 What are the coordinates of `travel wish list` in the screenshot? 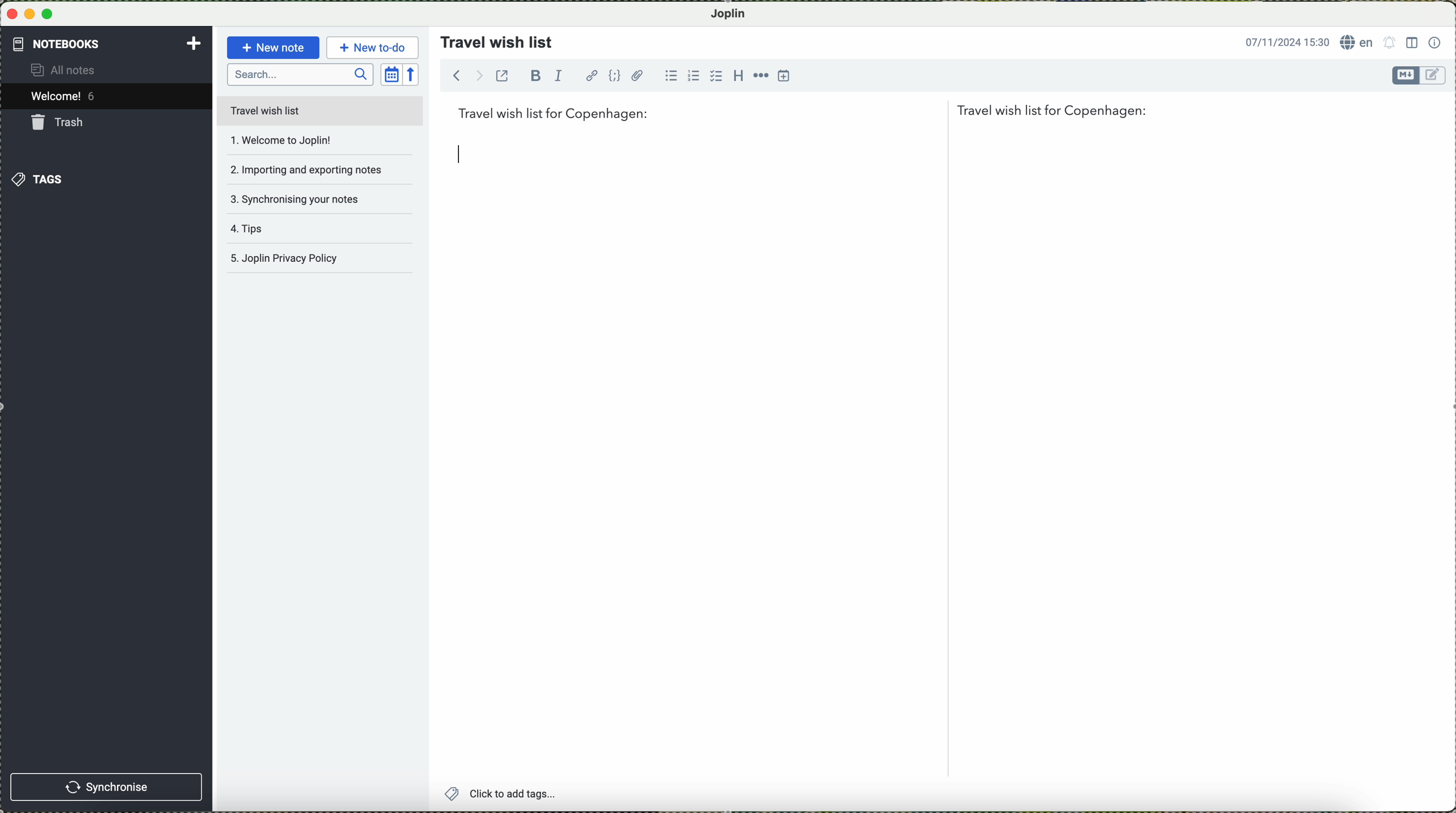 It's located at (492, 38).